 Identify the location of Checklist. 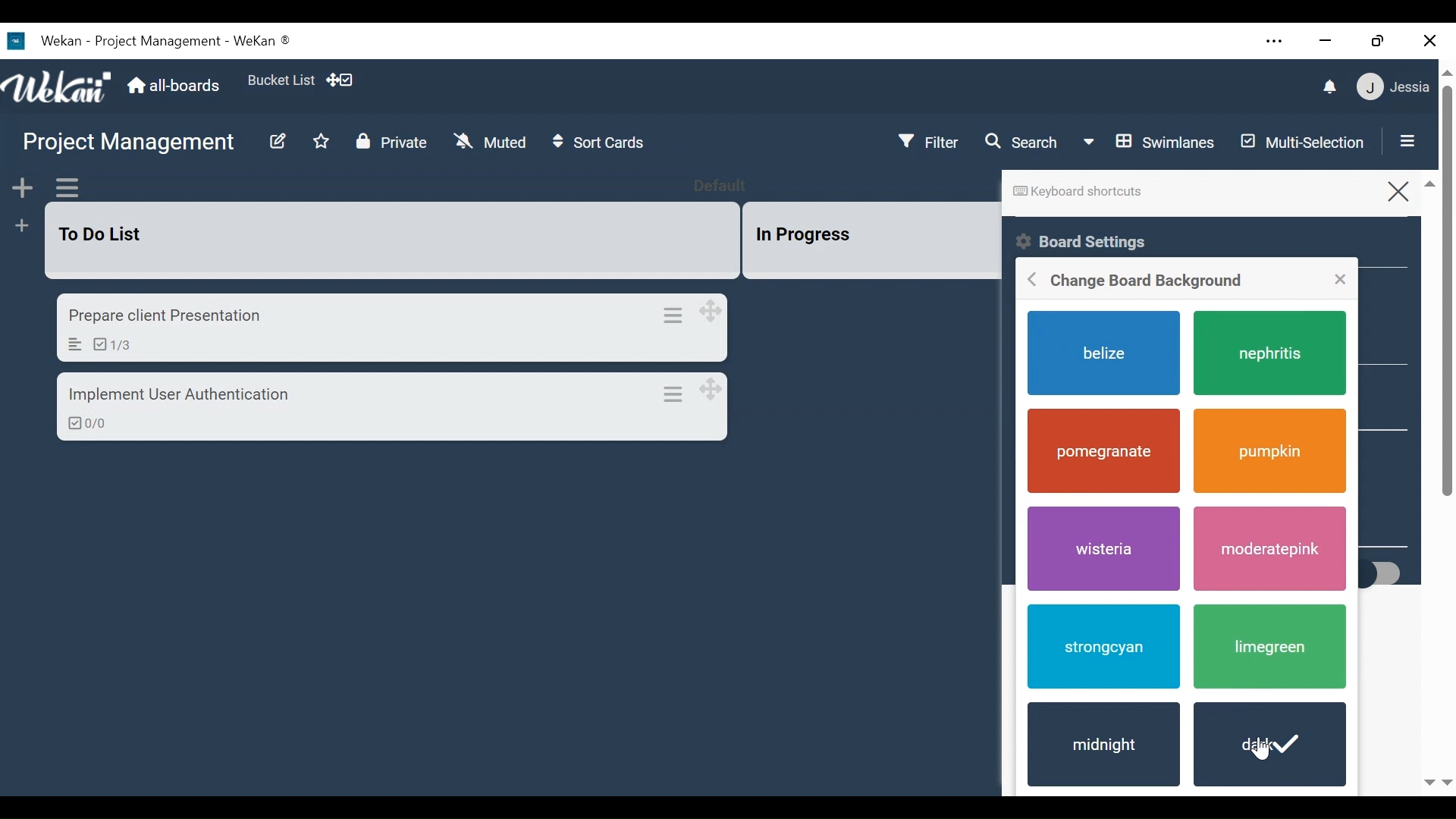
(106, 344).